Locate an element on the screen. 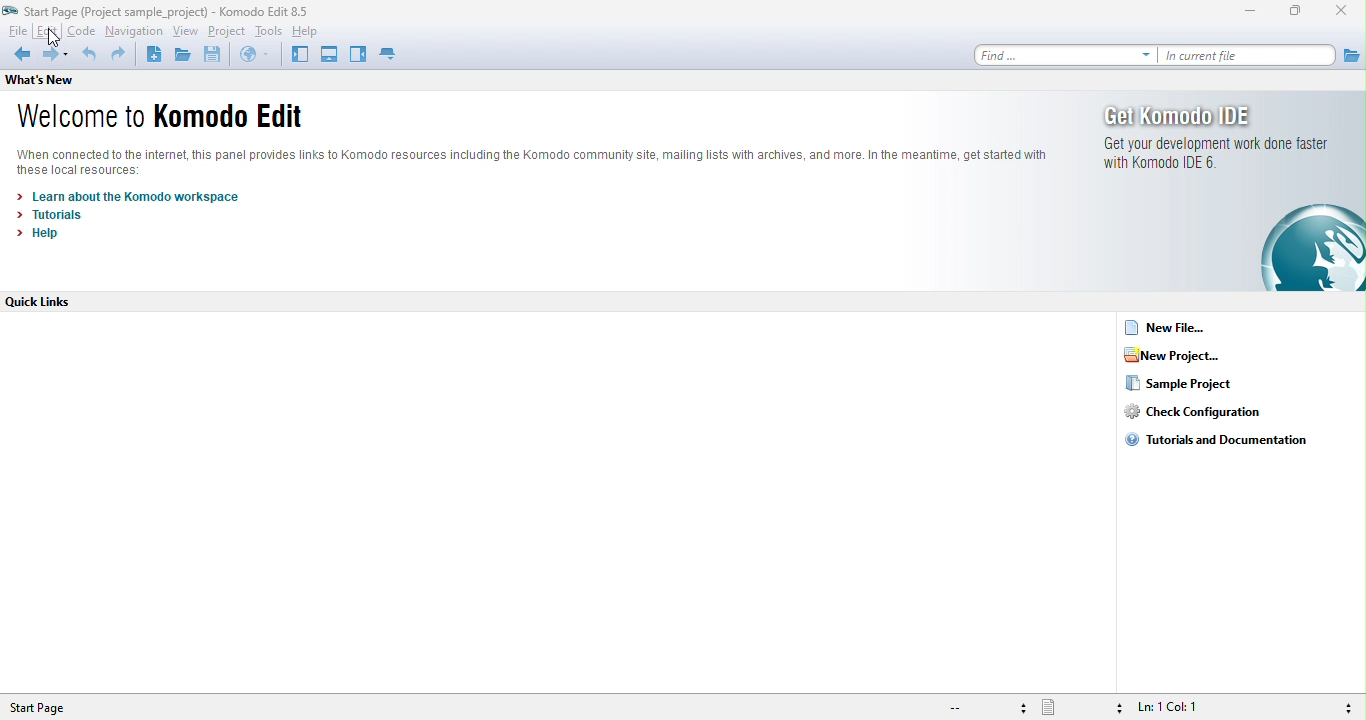  right pane is located at coordinates (359, 55).